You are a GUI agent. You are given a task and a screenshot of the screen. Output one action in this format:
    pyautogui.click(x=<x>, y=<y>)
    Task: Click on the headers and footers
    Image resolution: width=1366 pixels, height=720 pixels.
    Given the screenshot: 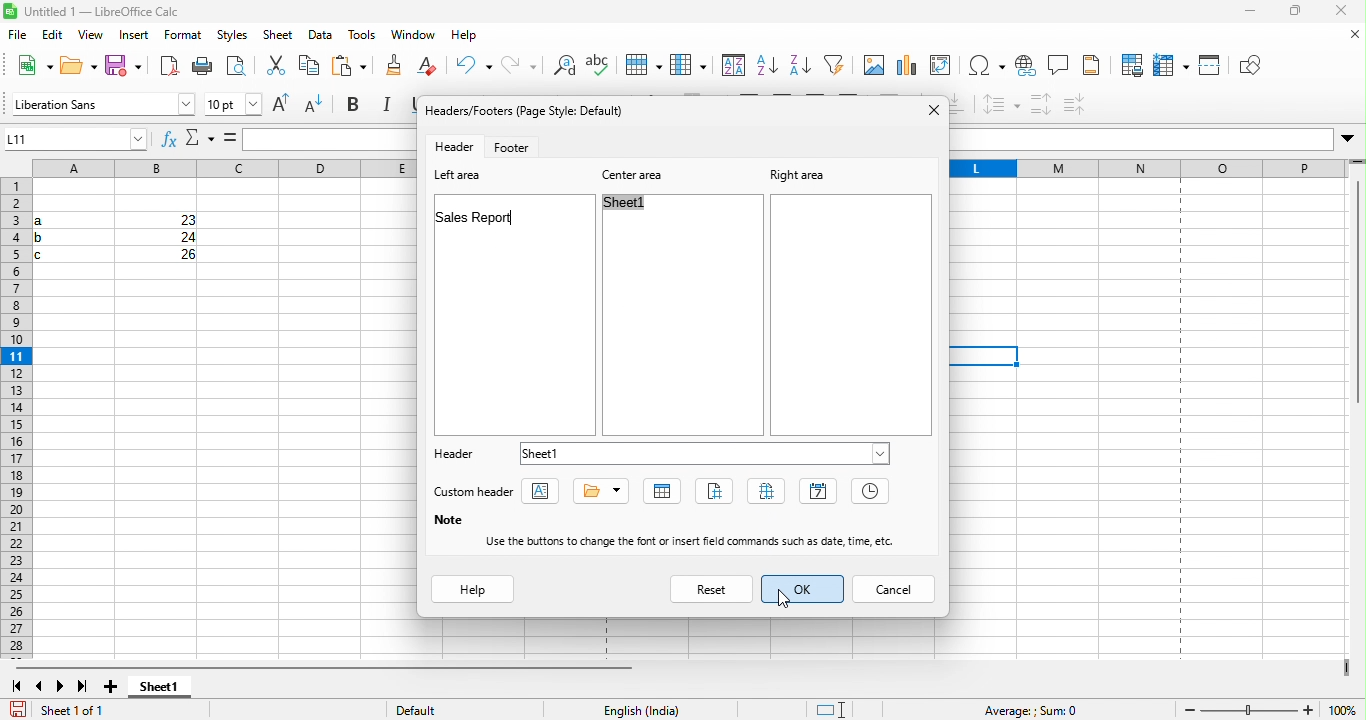 What is the action you would take?
    pyautogui.click(x=1098, y=68)
    